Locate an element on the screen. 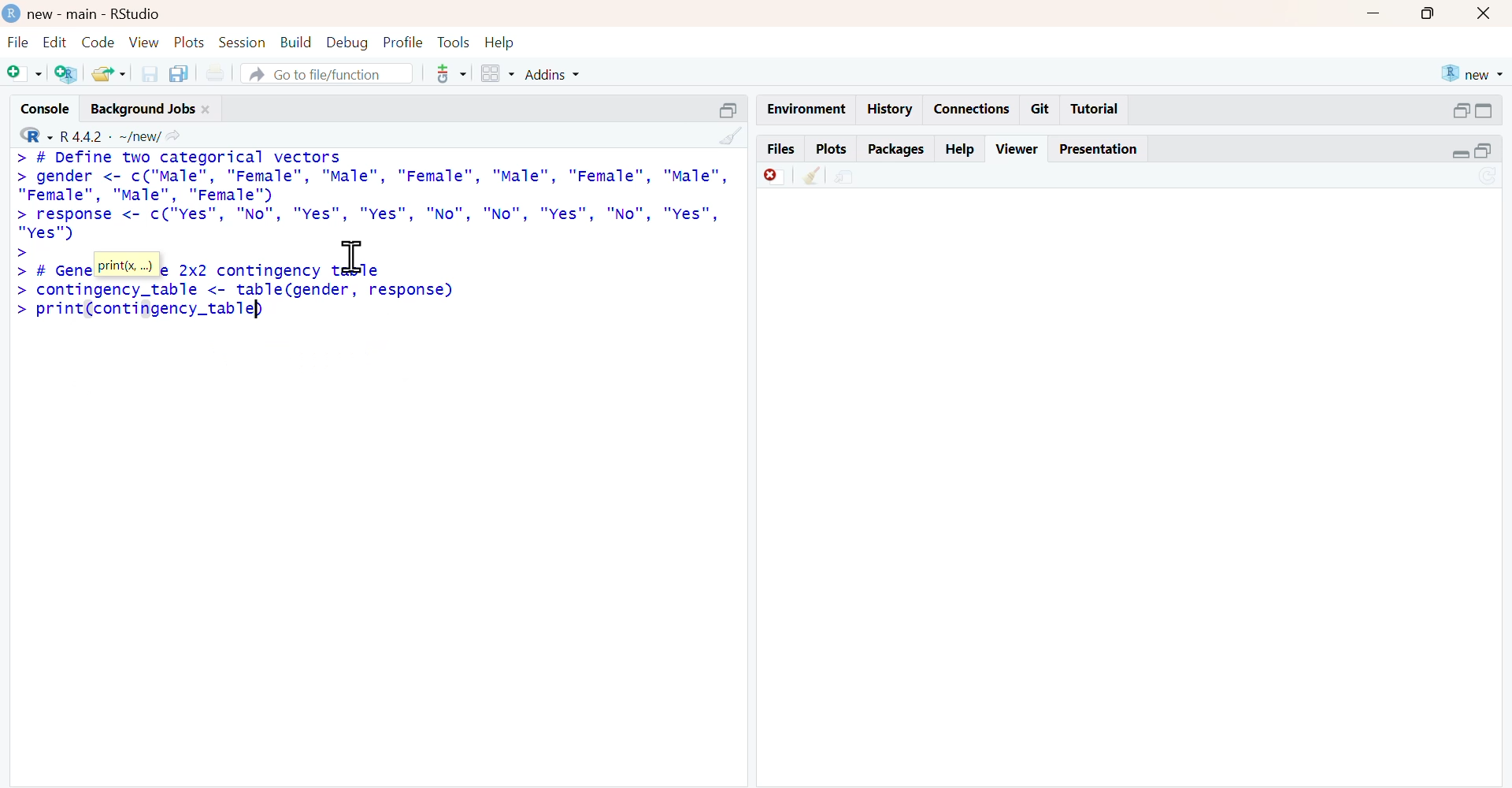 This screenshot has height=788, width=1512. console is located at coordinates (46, 109).